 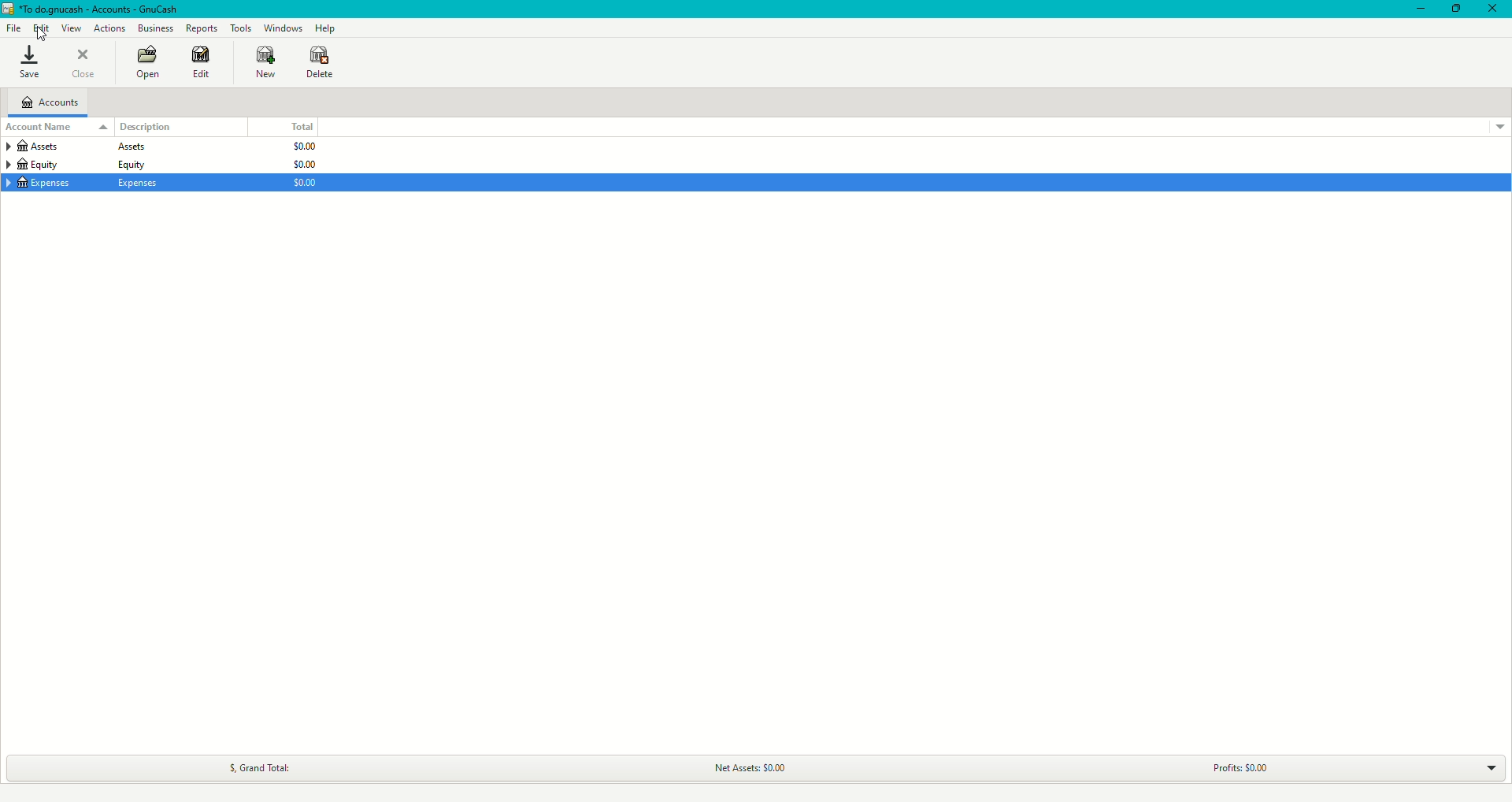 I want to click on Tools, so click(x=241, y=27).